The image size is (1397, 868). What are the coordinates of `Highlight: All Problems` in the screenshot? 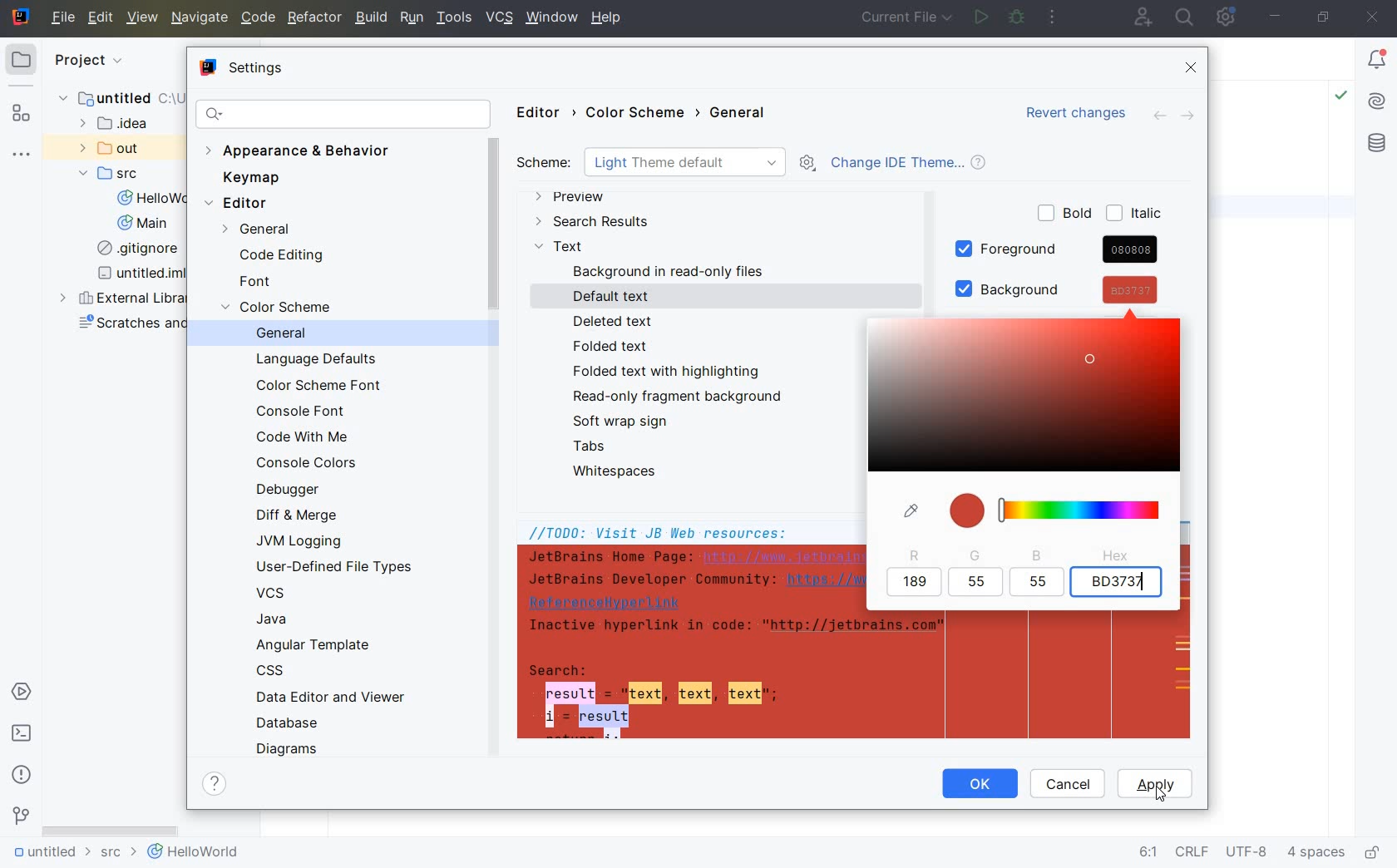 It's located at (1341, 97).